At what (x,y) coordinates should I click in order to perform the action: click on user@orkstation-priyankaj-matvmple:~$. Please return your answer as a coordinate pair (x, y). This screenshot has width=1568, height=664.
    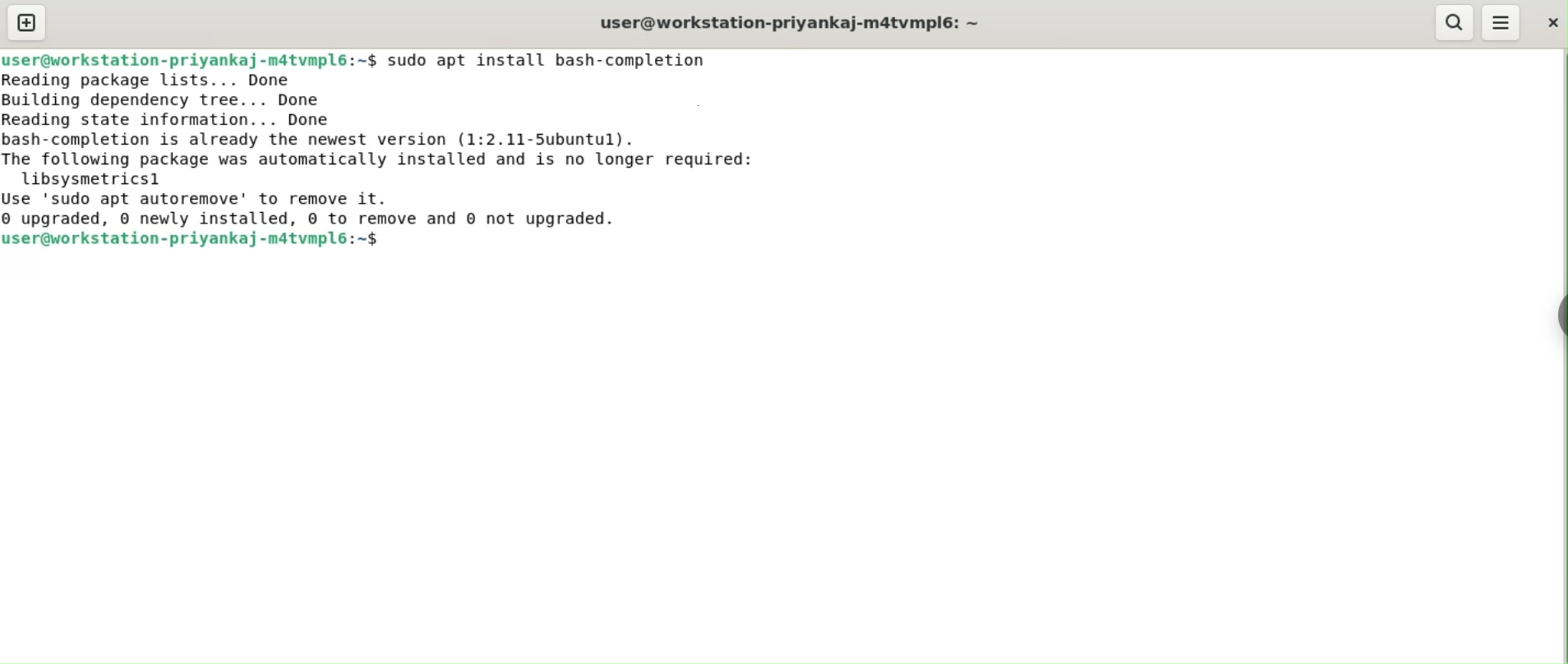
    Looking at the image, I should click on (208, 242).